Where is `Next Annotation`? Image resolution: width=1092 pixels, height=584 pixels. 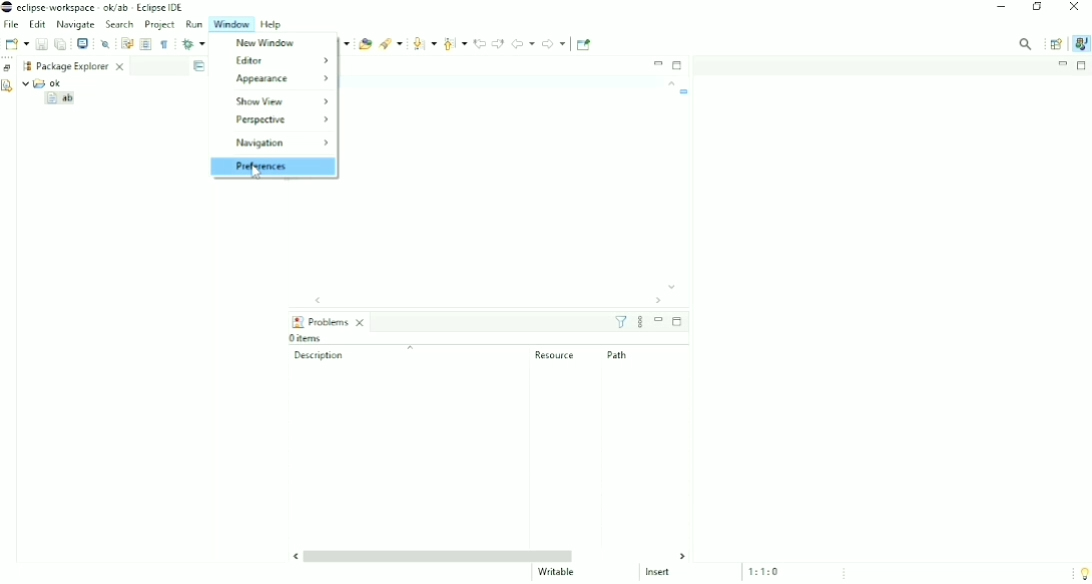
Next Annotation is located at coordinates (425, 42).